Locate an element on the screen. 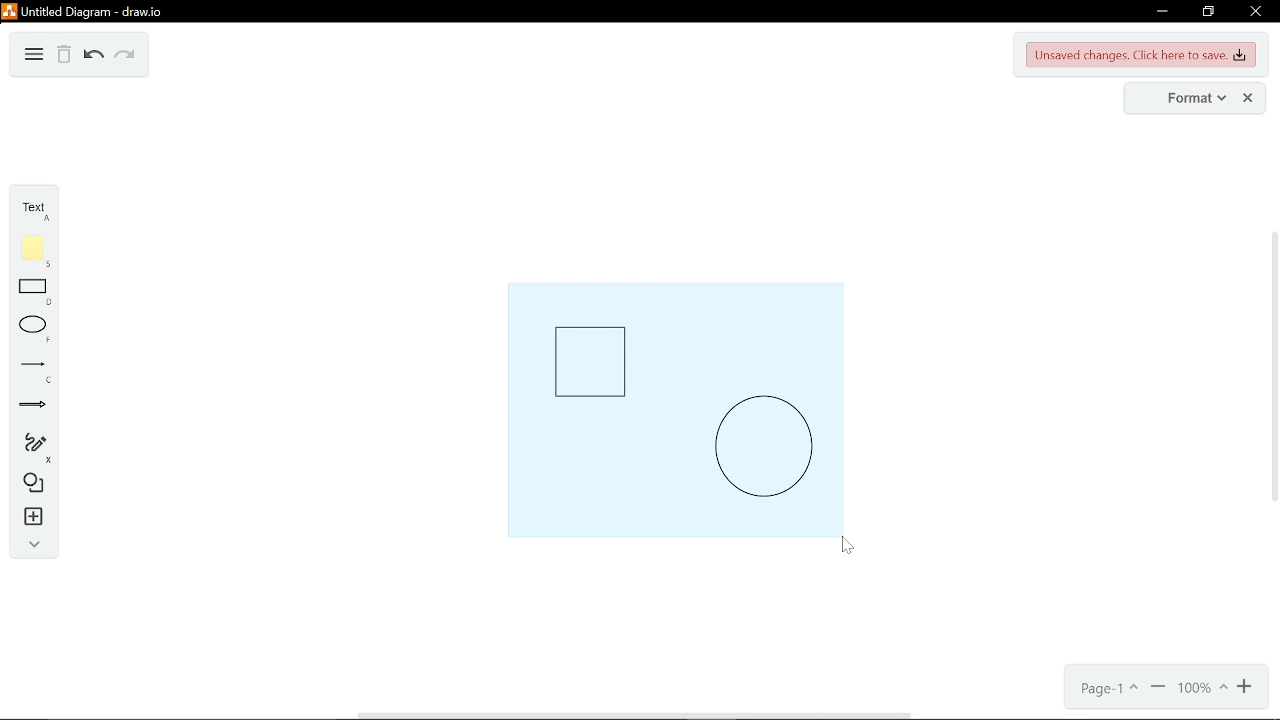  delete is located at coordinates (65, 57).